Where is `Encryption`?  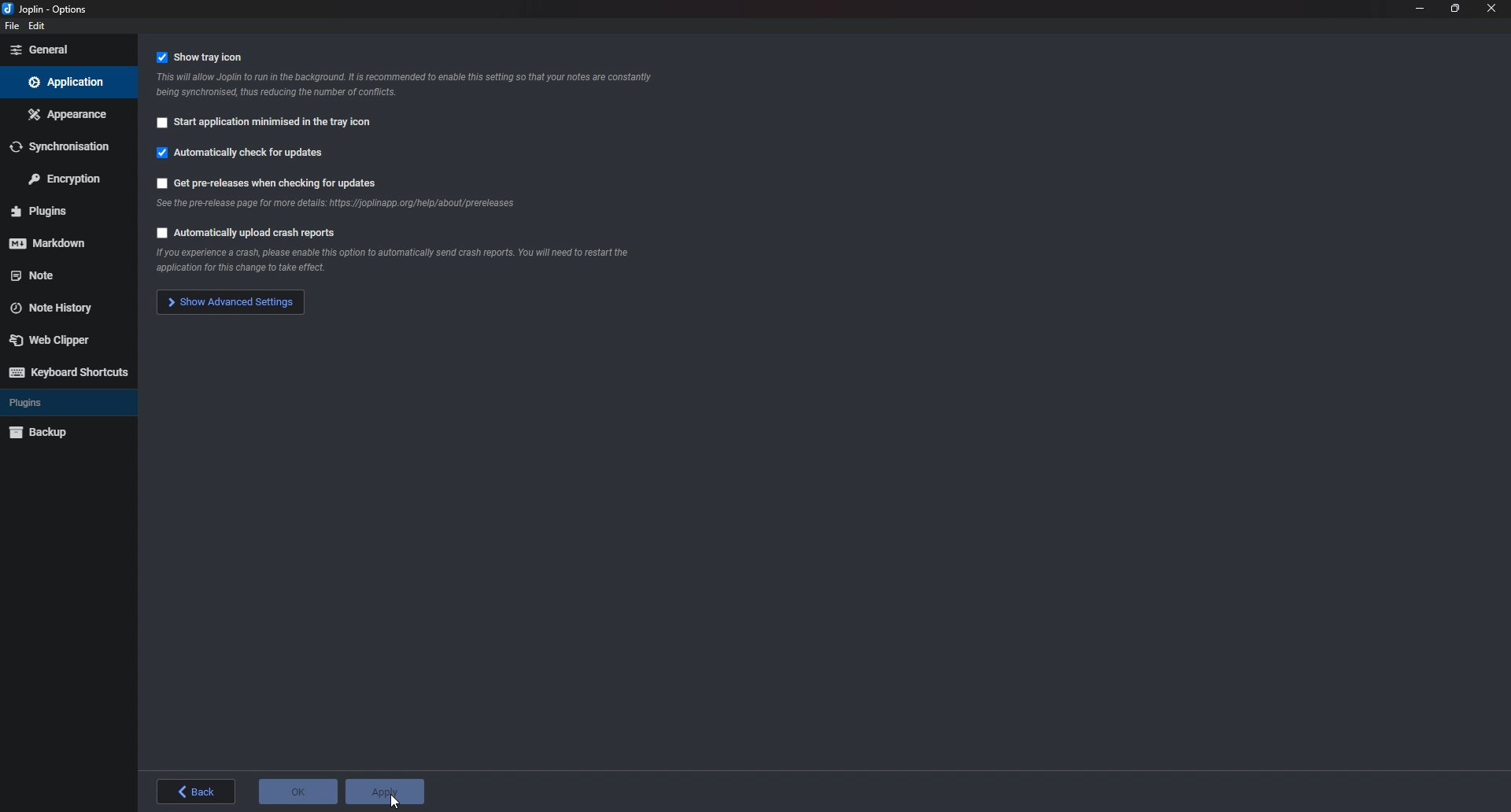 Encryption is located at coordinates (64, 178).